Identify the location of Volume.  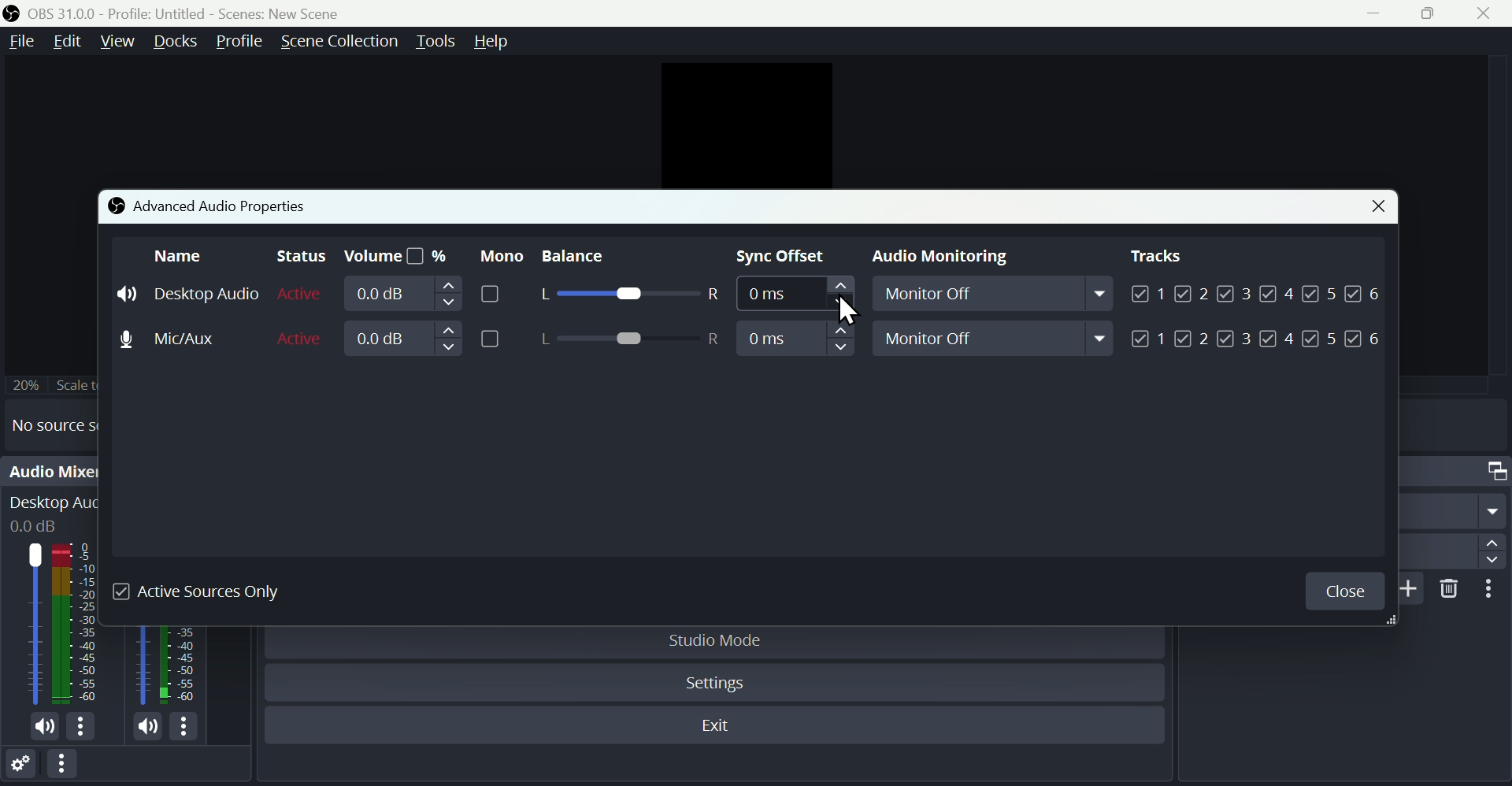
(424, 339).